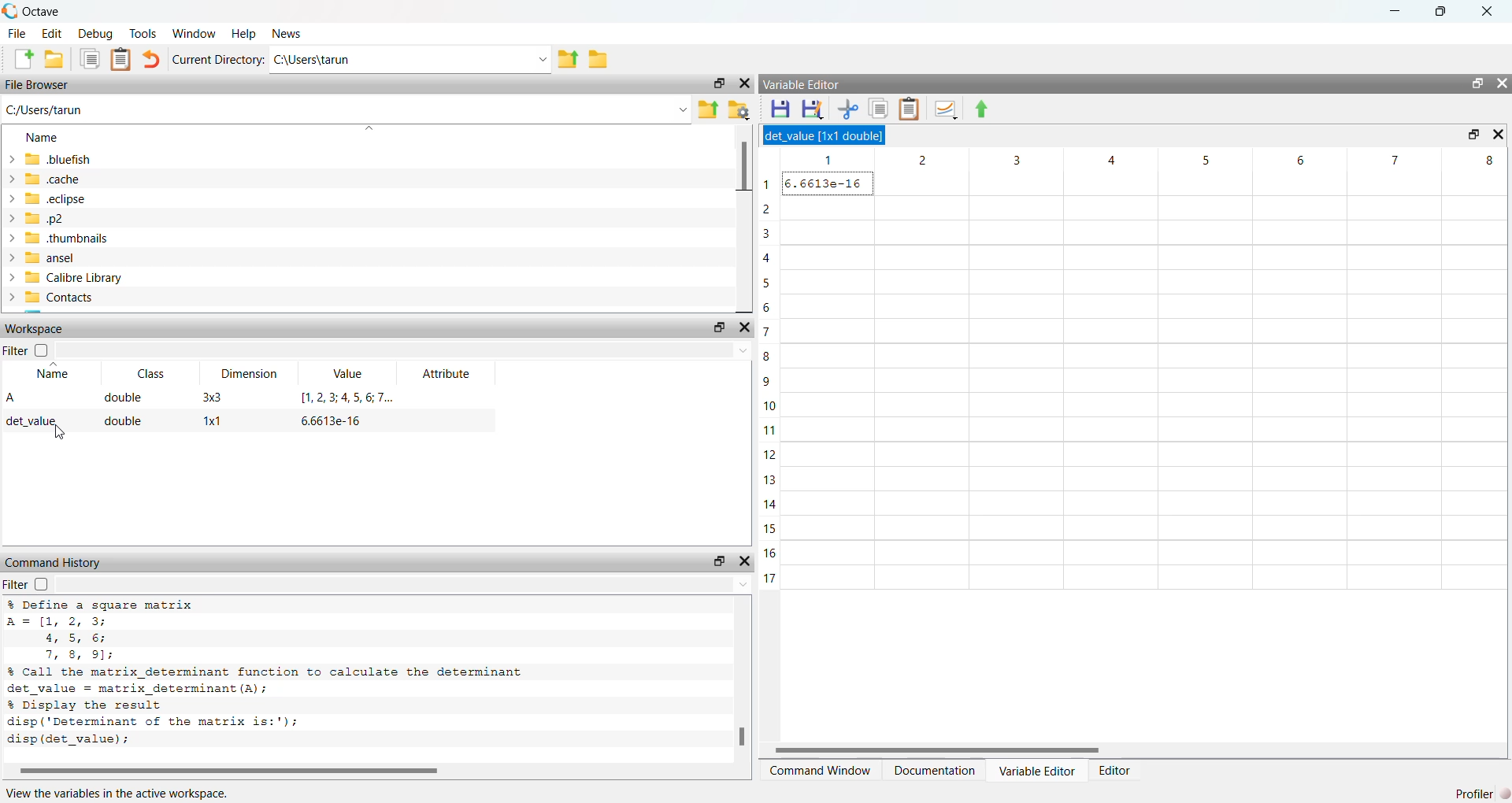 The width and height of the screenshot is (1512, 803). Describe the element at coordinates (97, 33) in the screenshot. I see `debug` at that location.